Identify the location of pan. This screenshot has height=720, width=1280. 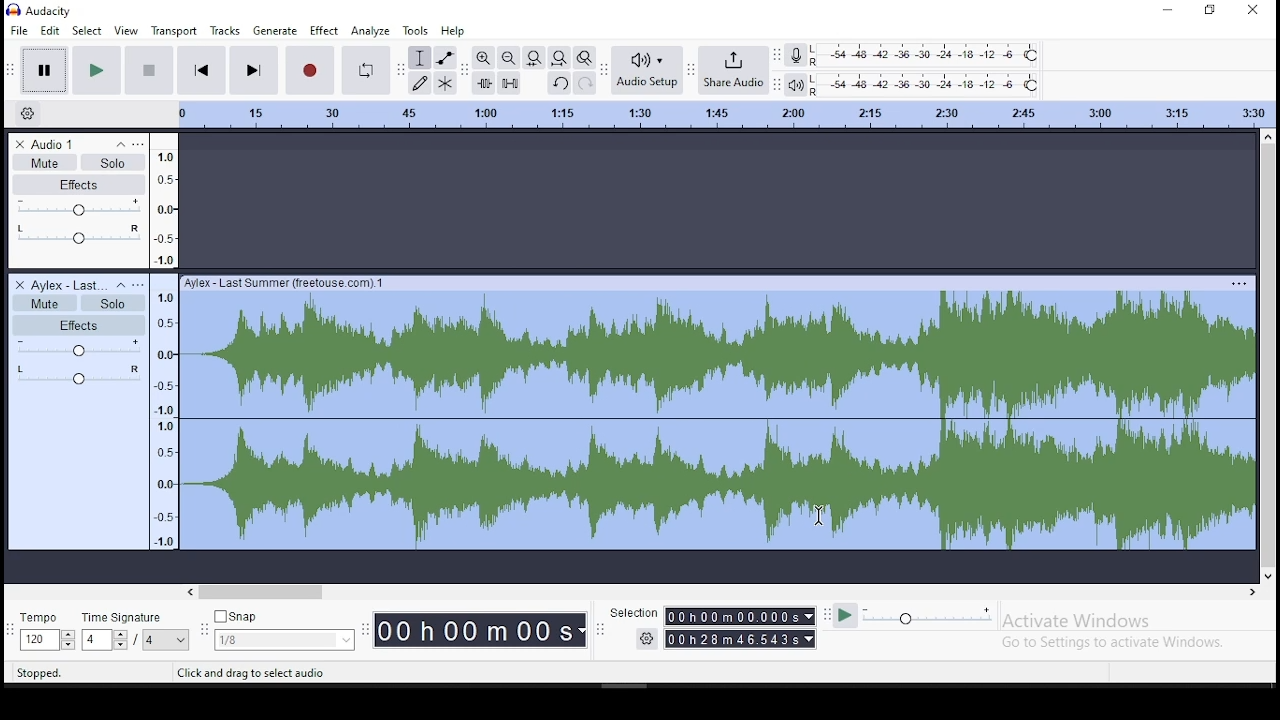
(79, 375).